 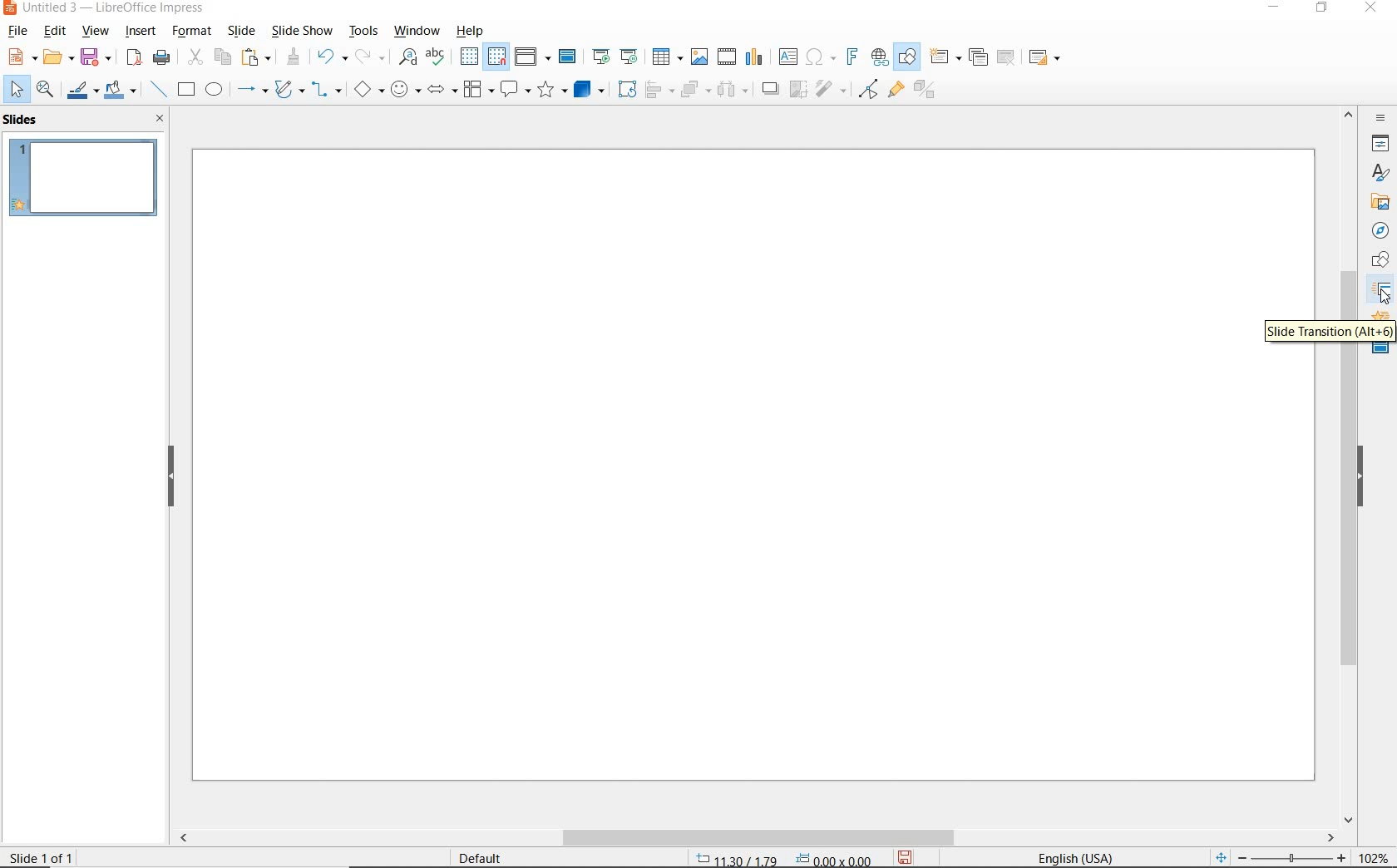 What do you see at coordinates (404, 91) in the screenshot?
I see `SYMBOL SHAPES` at bounding box center [404, 91].